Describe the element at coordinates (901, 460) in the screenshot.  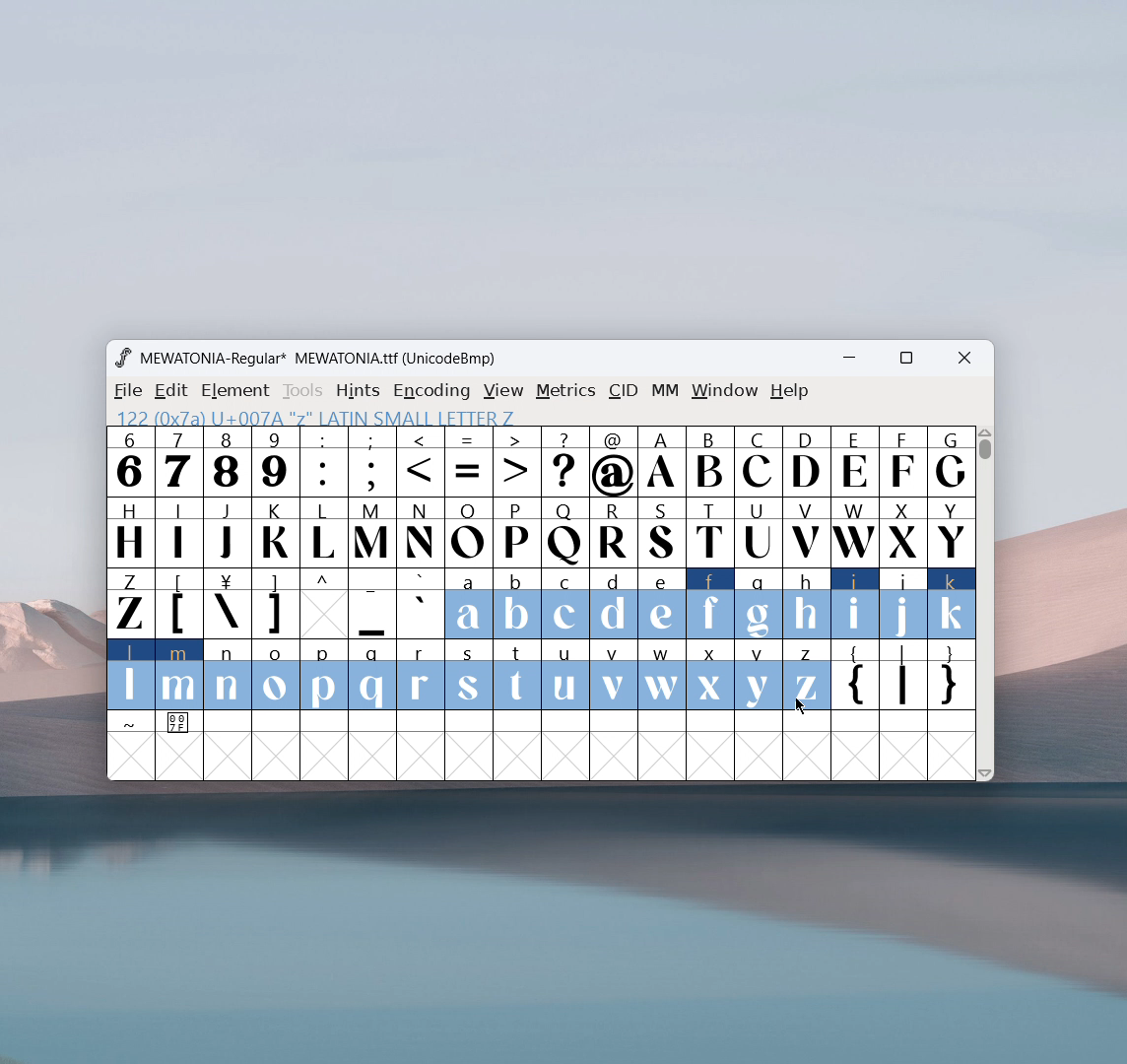
I see `F` at that location.